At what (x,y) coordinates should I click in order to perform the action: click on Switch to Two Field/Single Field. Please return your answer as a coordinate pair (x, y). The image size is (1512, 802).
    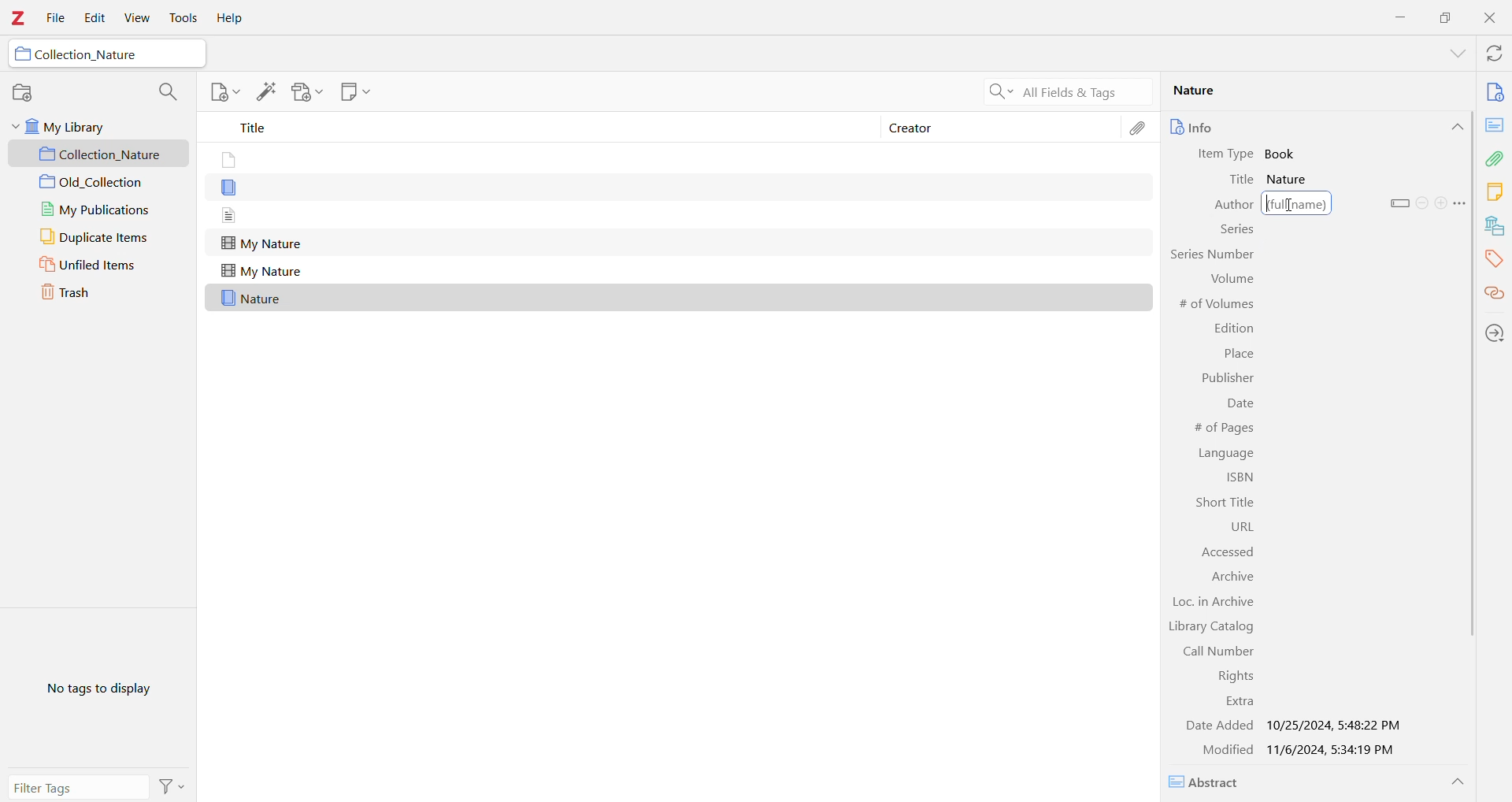
    Looking at the image, I should click on (1399, 203).